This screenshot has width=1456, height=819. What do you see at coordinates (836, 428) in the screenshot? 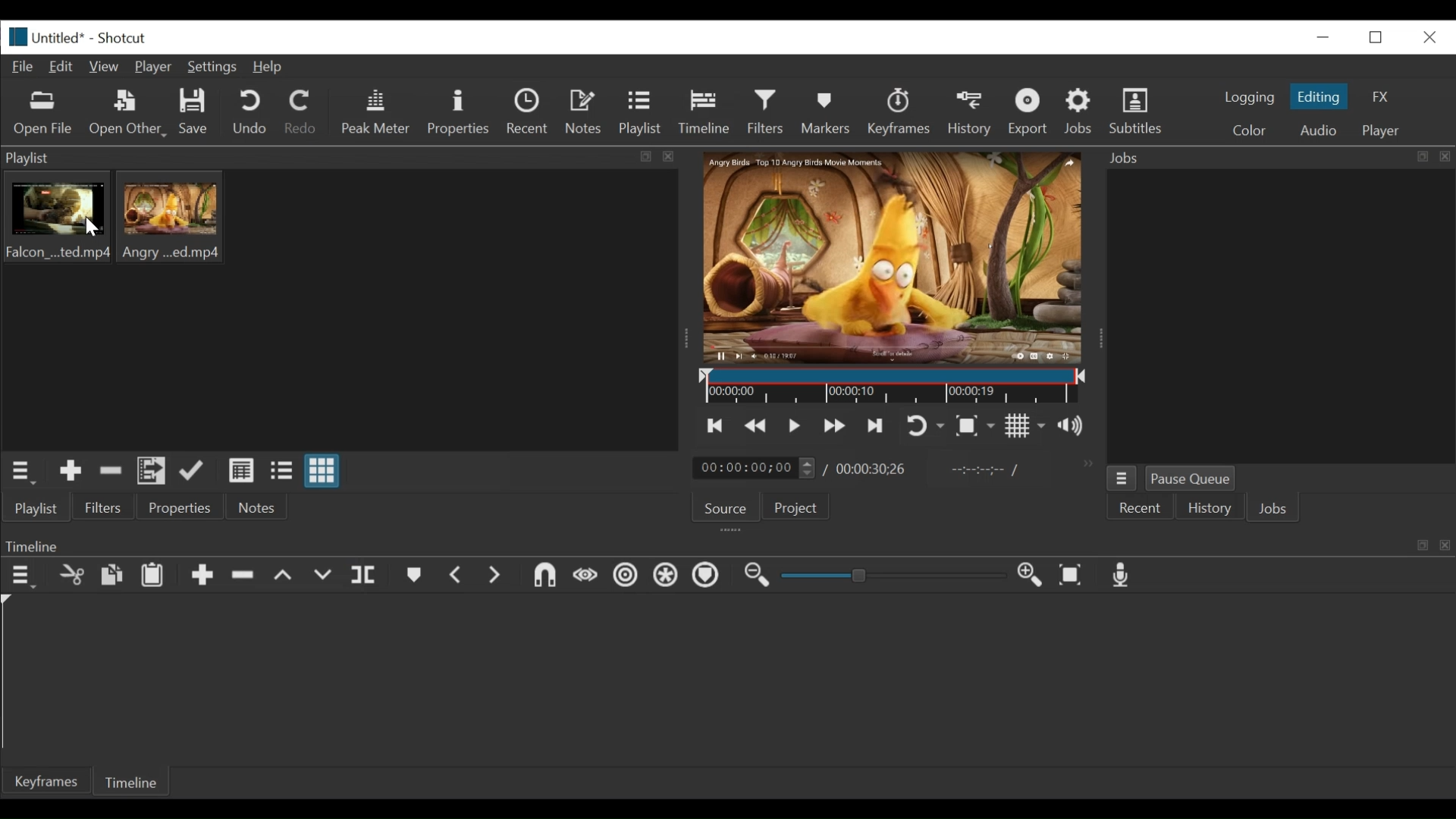
I see `play forward quickly` at bounding box center [836, 428].